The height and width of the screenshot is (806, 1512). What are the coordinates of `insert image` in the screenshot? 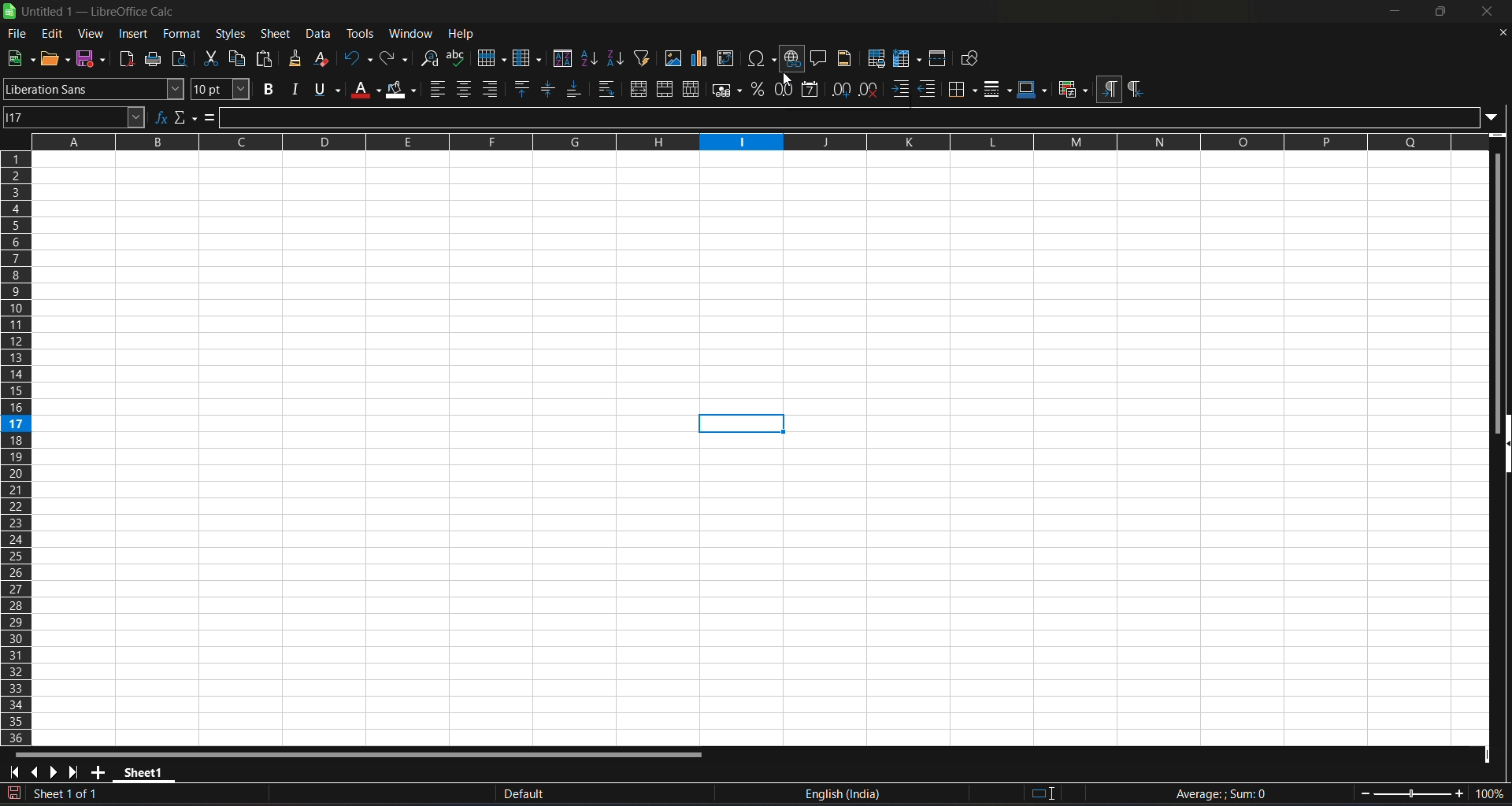 It's located at (674, 58).